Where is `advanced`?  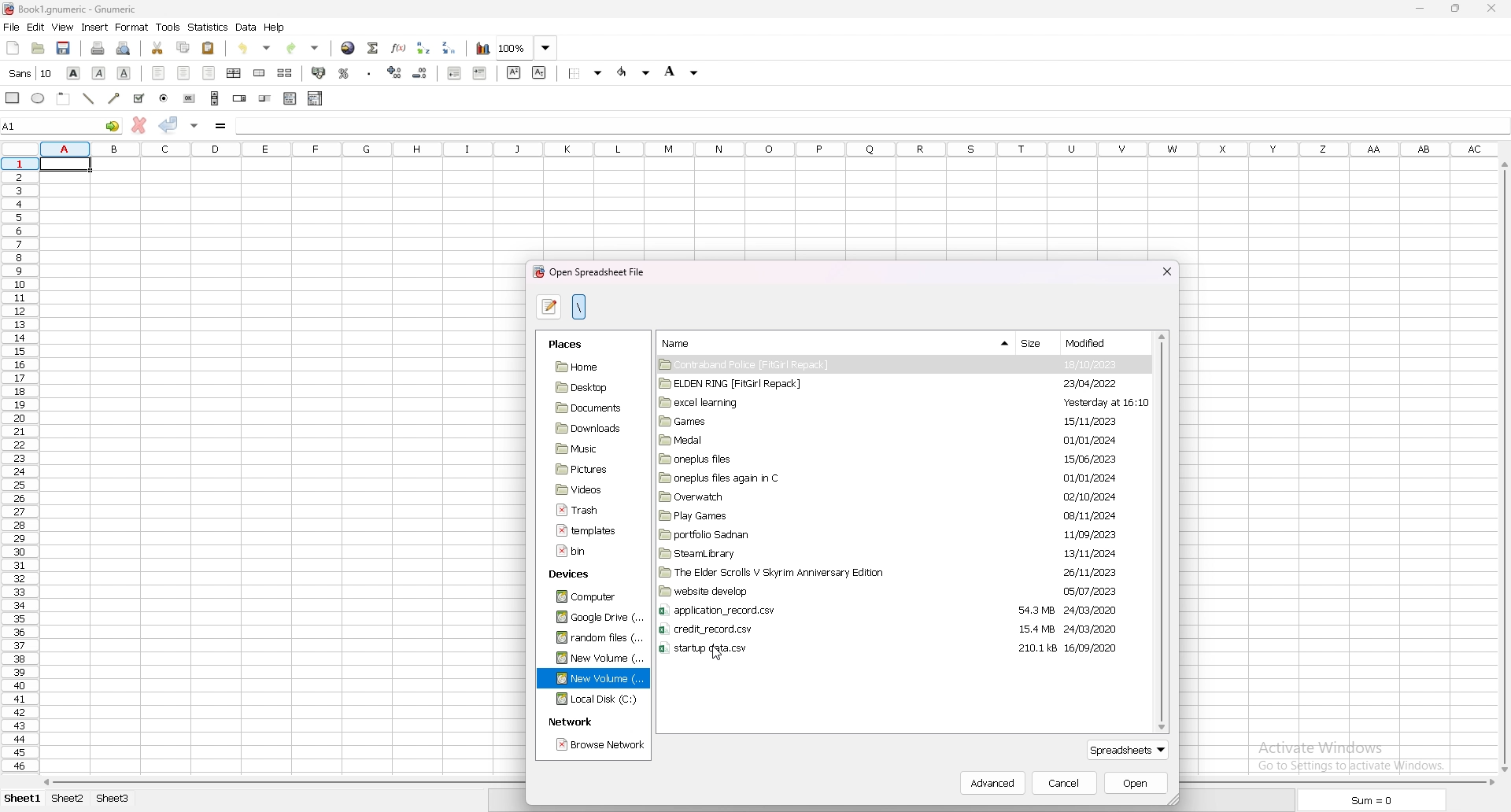 advanced is located at coordinates (997, 785).